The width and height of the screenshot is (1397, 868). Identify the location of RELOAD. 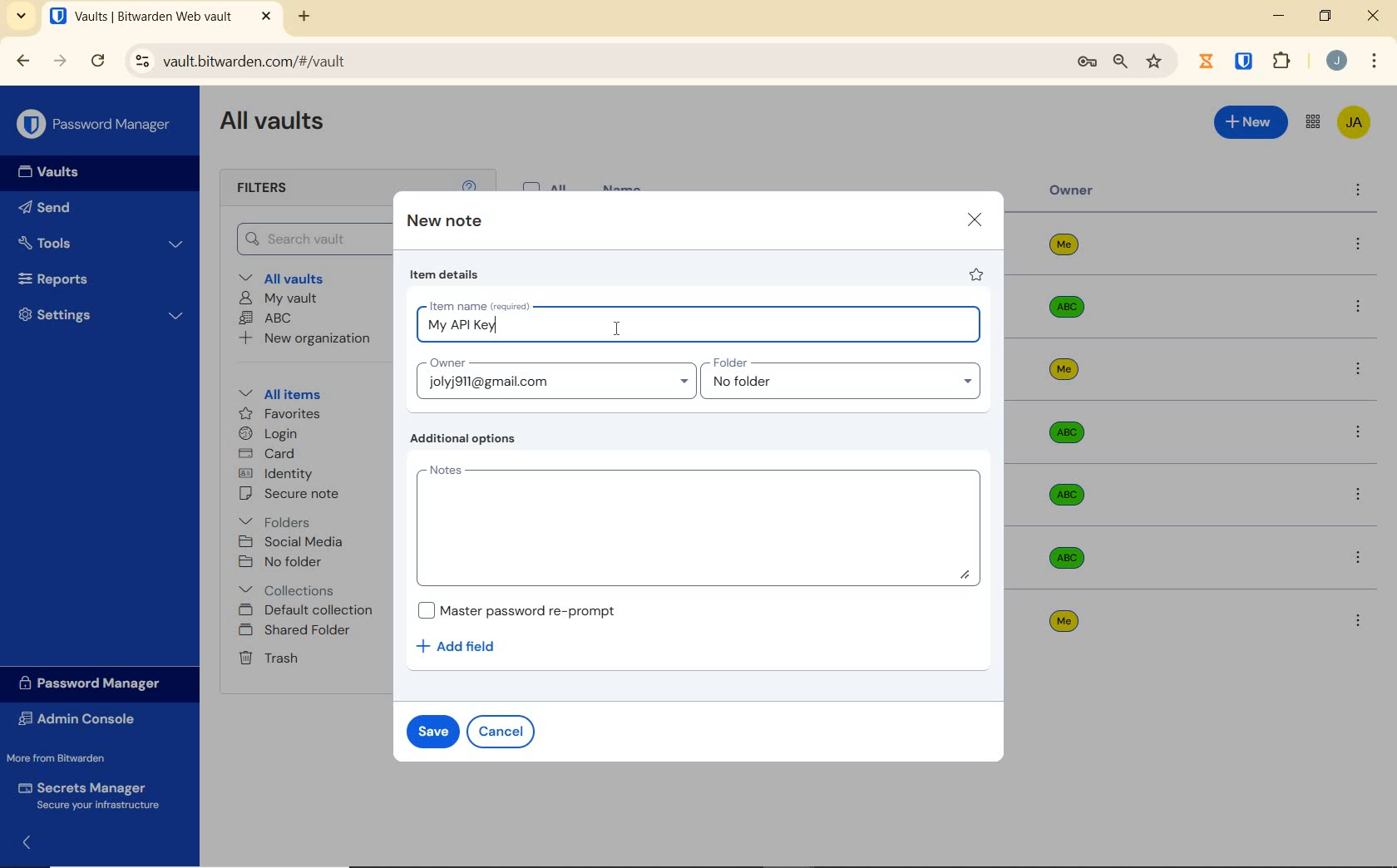
(99, 62).